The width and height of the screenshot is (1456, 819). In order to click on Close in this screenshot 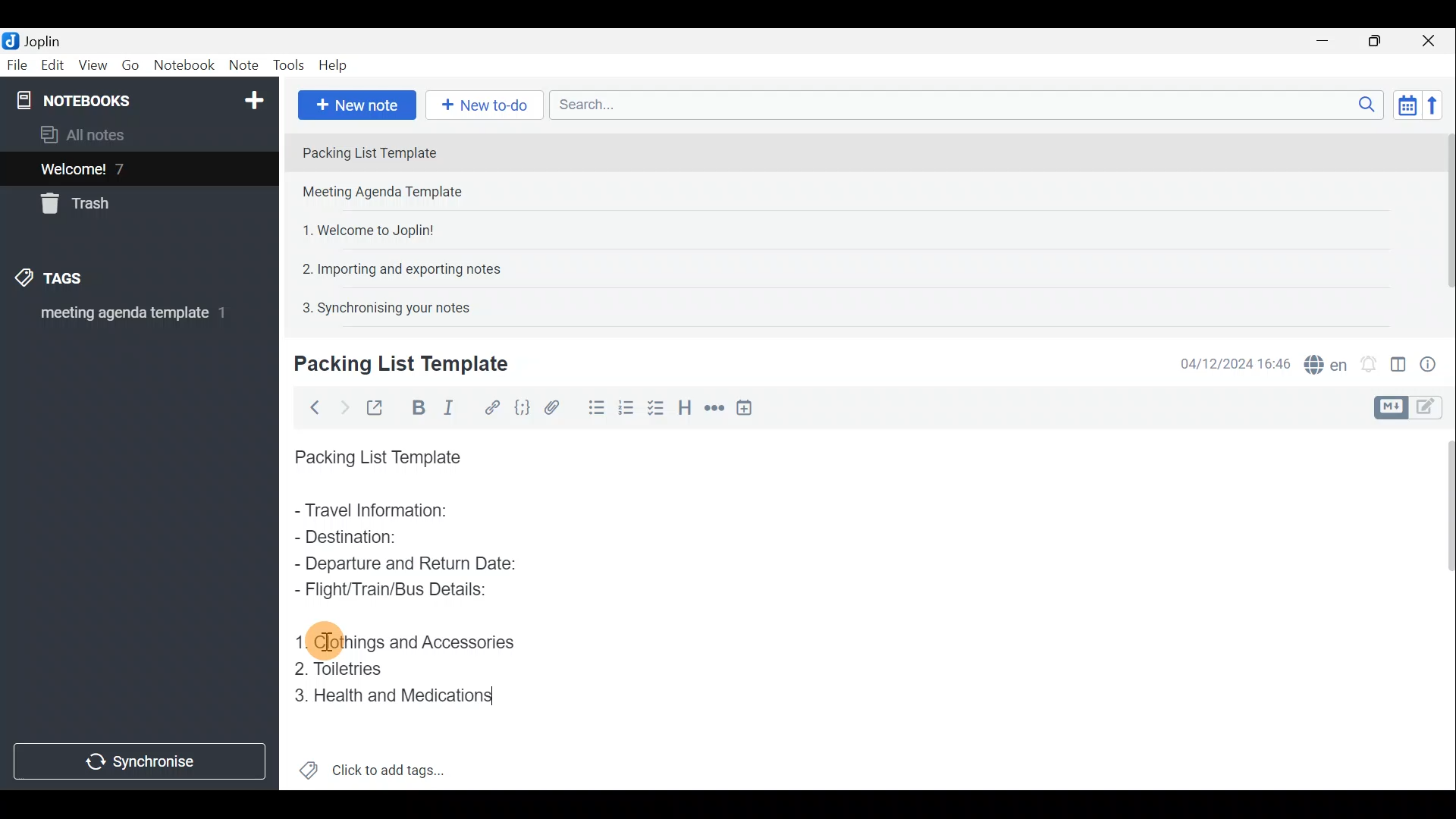, I will do `click(1433, 40)`.